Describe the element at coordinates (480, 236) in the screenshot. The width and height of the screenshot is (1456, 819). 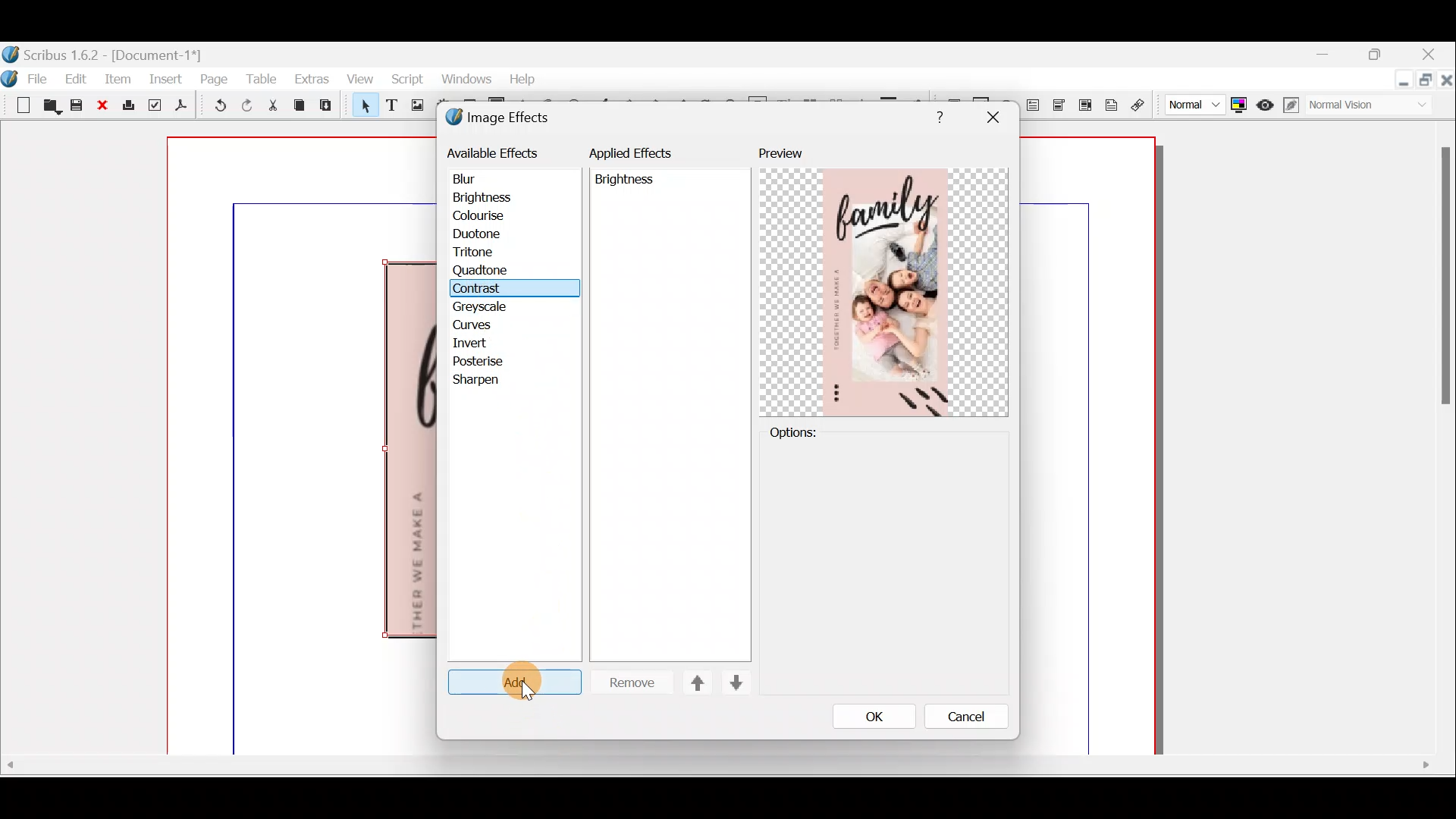
I see `Duotone` at that location.